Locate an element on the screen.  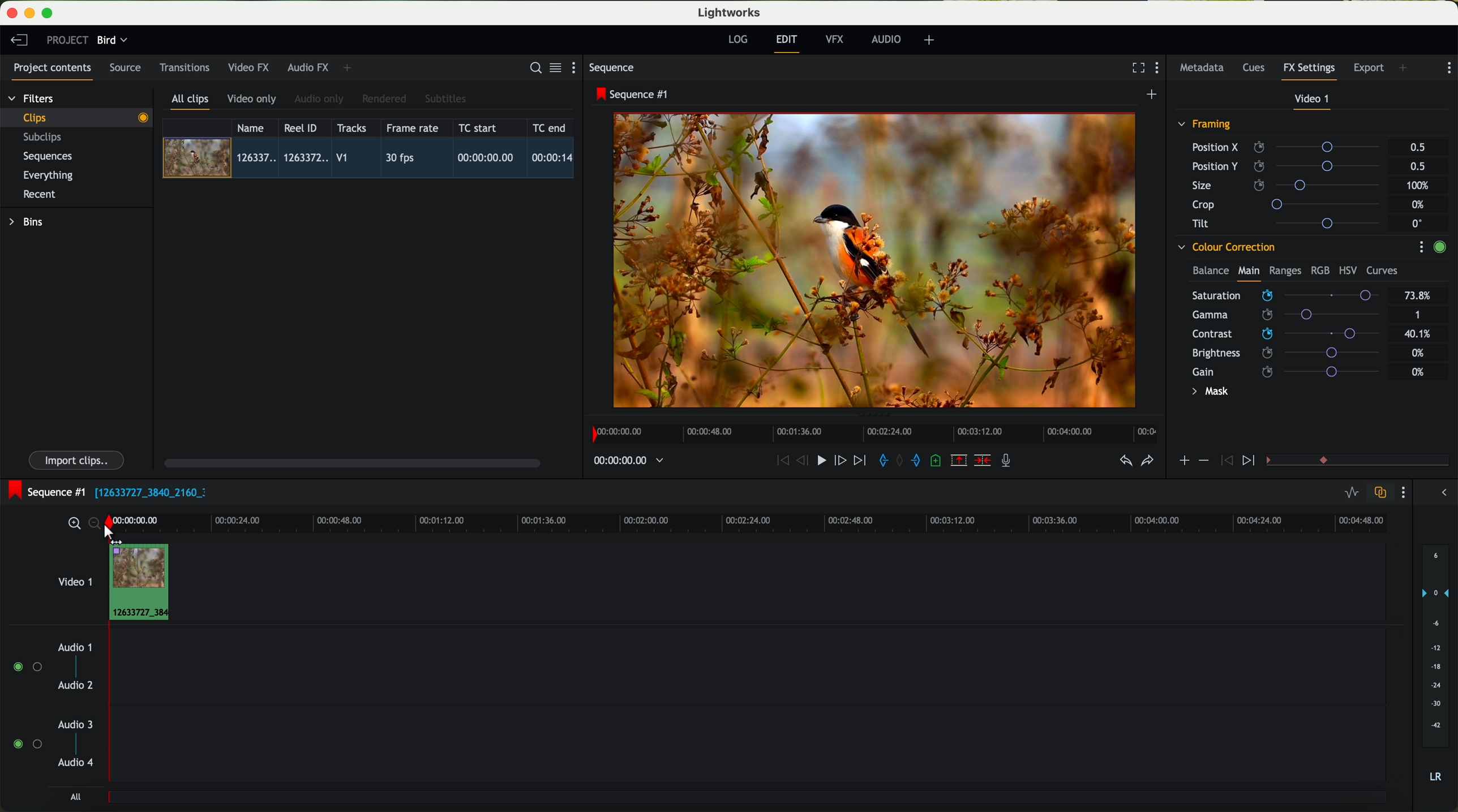
toggle auto track sync is located at coordinates (1378, 493).